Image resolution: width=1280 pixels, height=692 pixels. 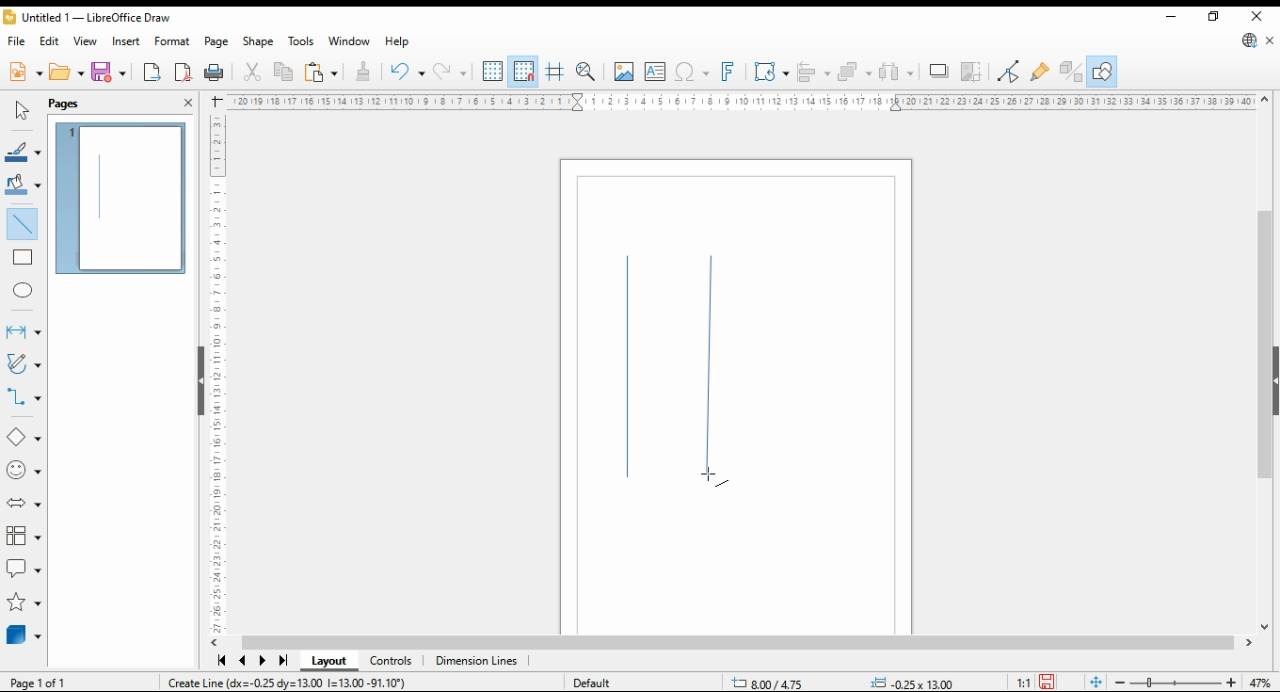 What do you see at coordinates (23, 259) in the screenshot?
I see `rectangle` at bounding box center [23, 259].